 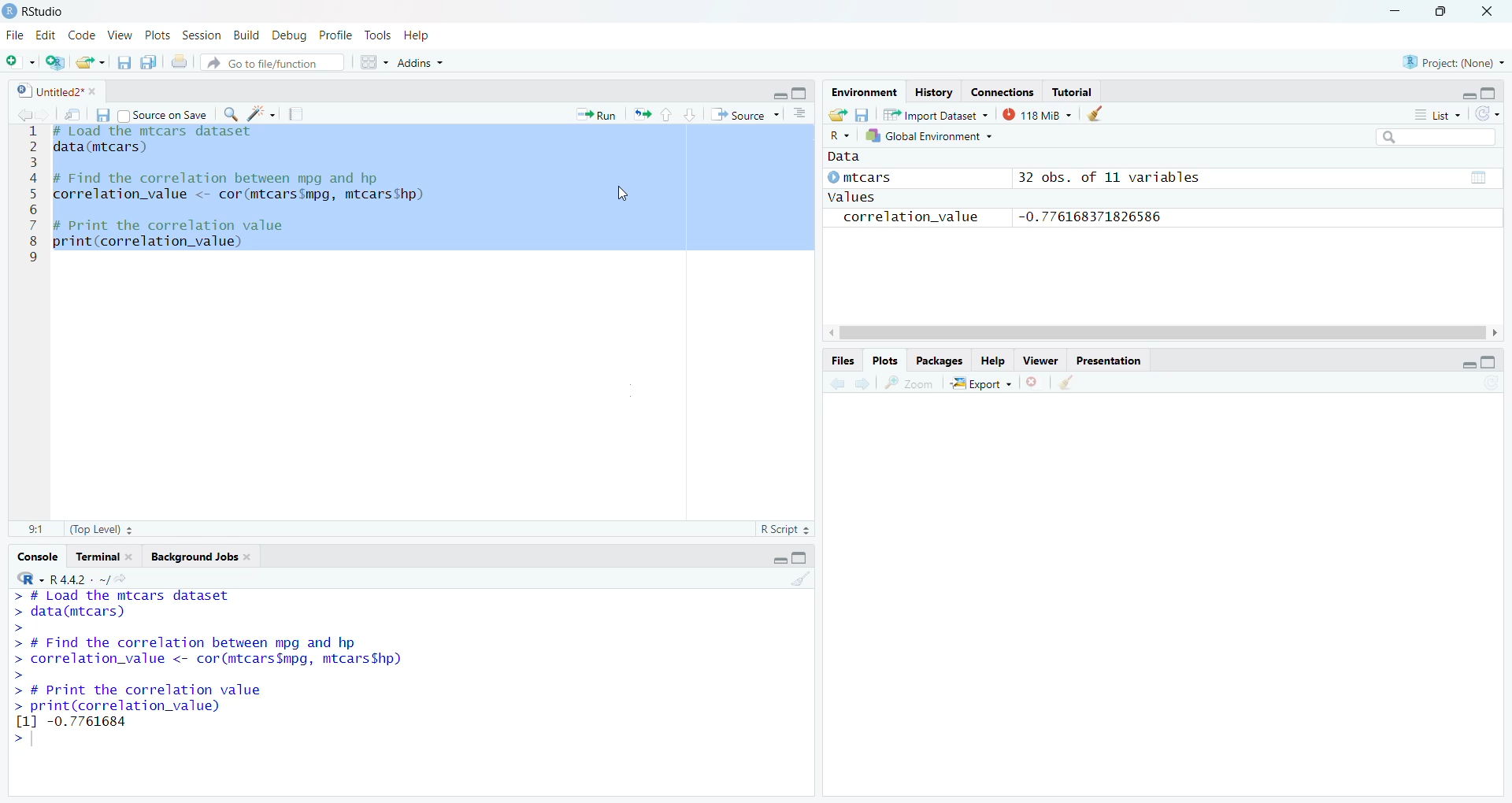 I want to click on Go forward to the next source location (Ctrl + F10), so click(x=863, y=383).